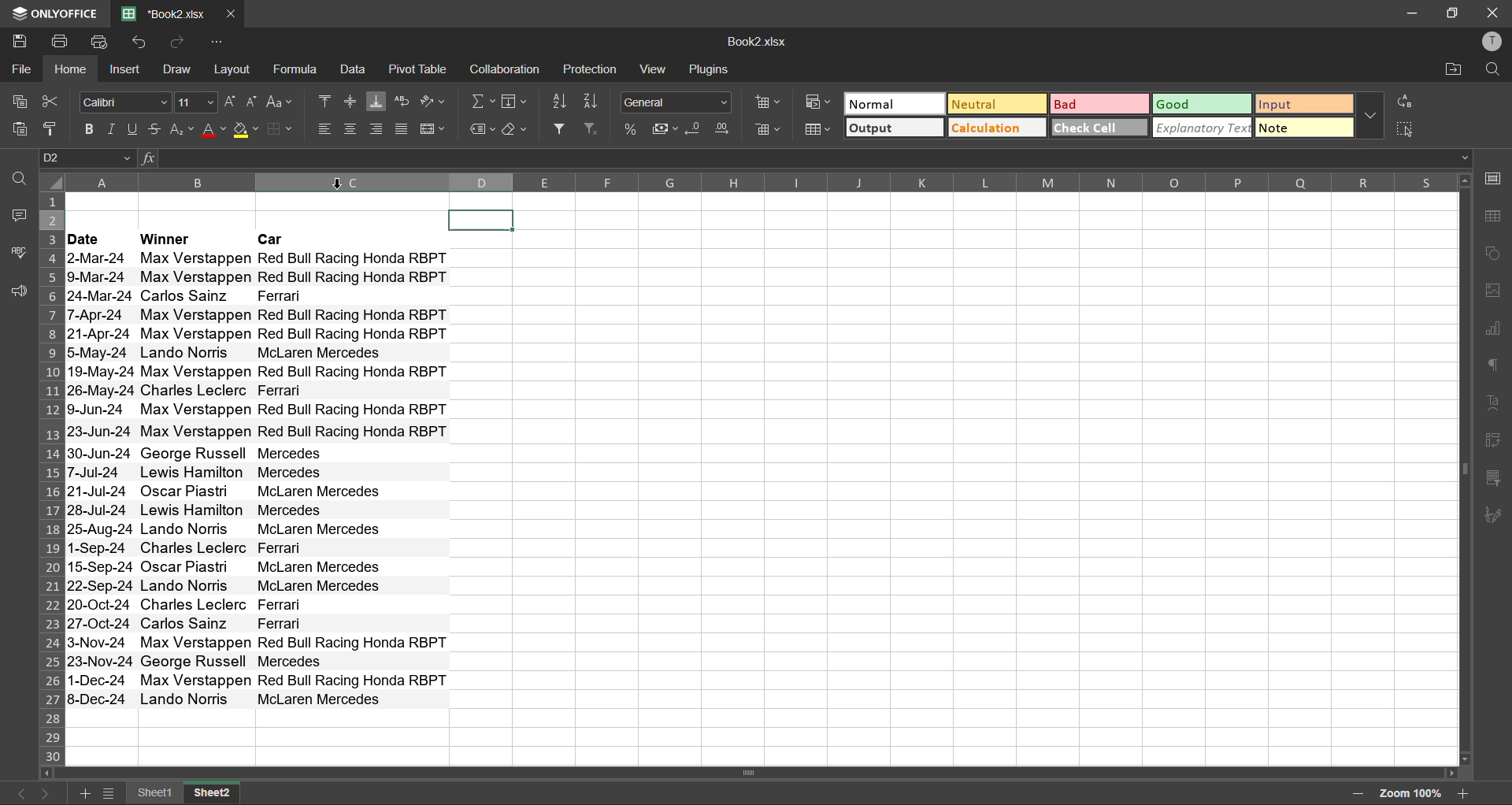 This screenshot has height=805, width=1512. What do you see at coordinates (1406, 104) in the screenshot?
I see `replace` at bounding box center [1406, 104].